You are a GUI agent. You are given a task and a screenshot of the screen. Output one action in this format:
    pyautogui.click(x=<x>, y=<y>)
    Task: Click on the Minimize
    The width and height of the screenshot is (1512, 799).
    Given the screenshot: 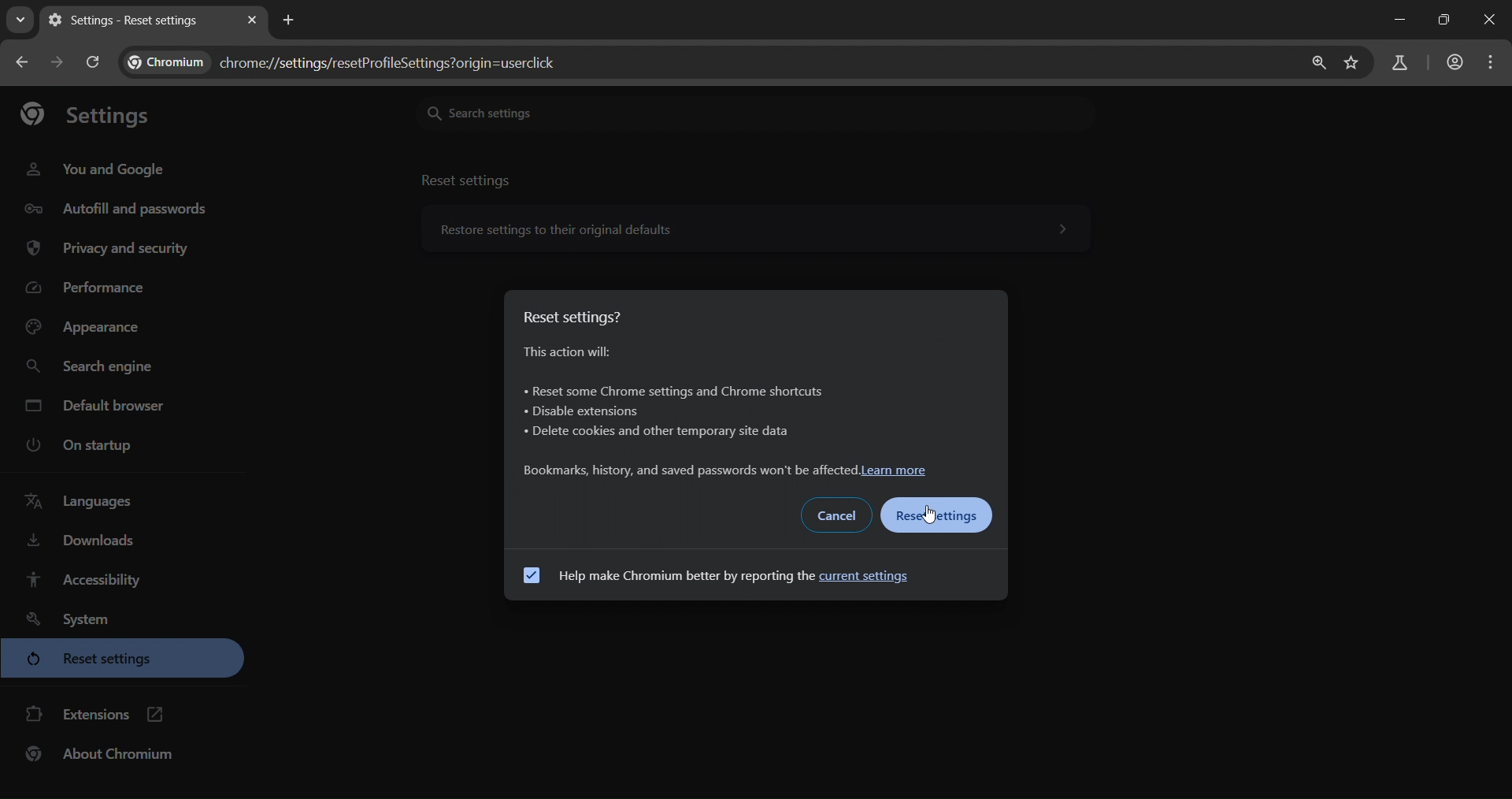 What is the action you would take?
    pyautogui.click(x=1402, y=19)
    